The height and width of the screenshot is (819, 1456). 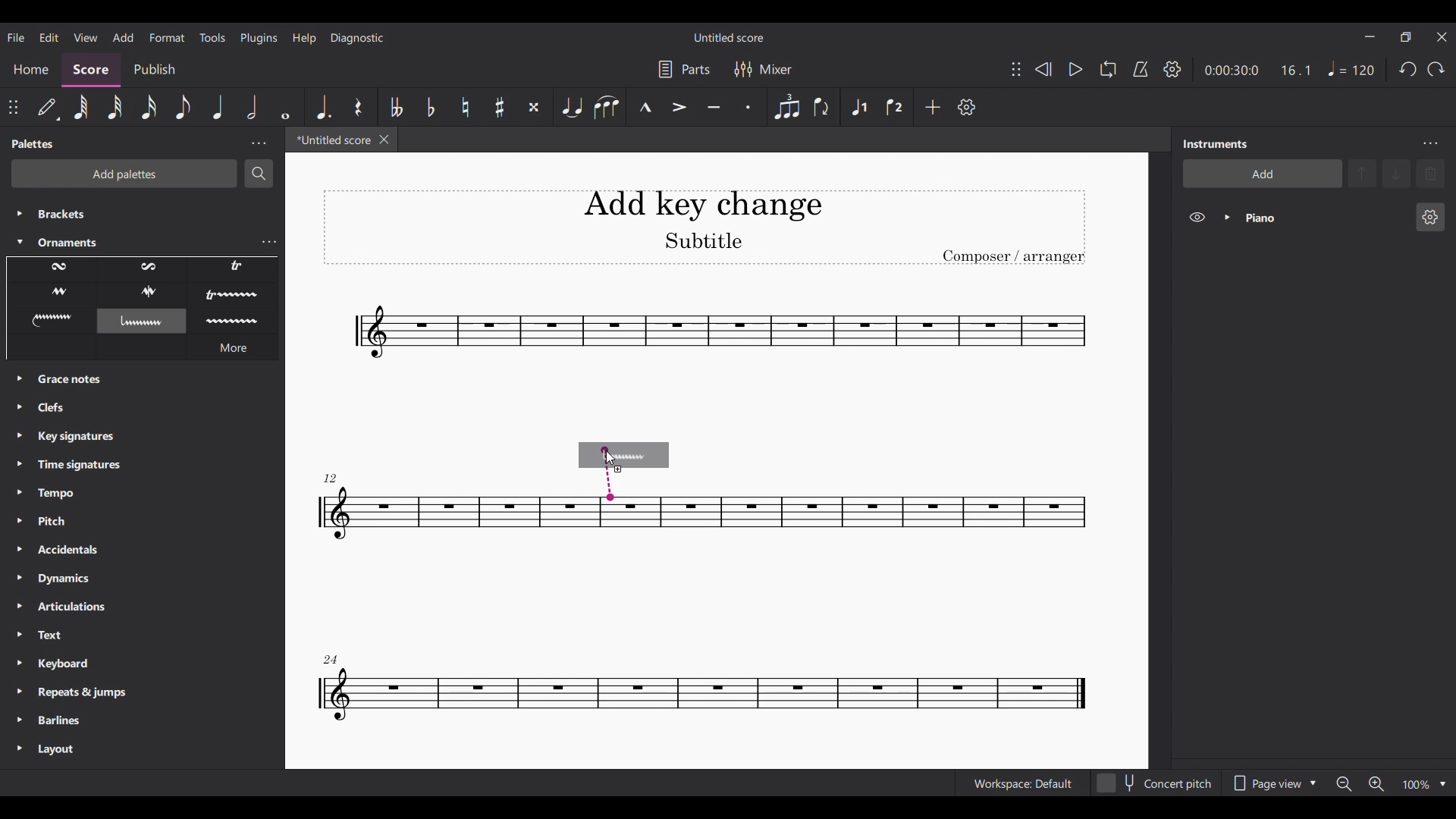 I want to click on Current tab, so click(x=331, y=140).